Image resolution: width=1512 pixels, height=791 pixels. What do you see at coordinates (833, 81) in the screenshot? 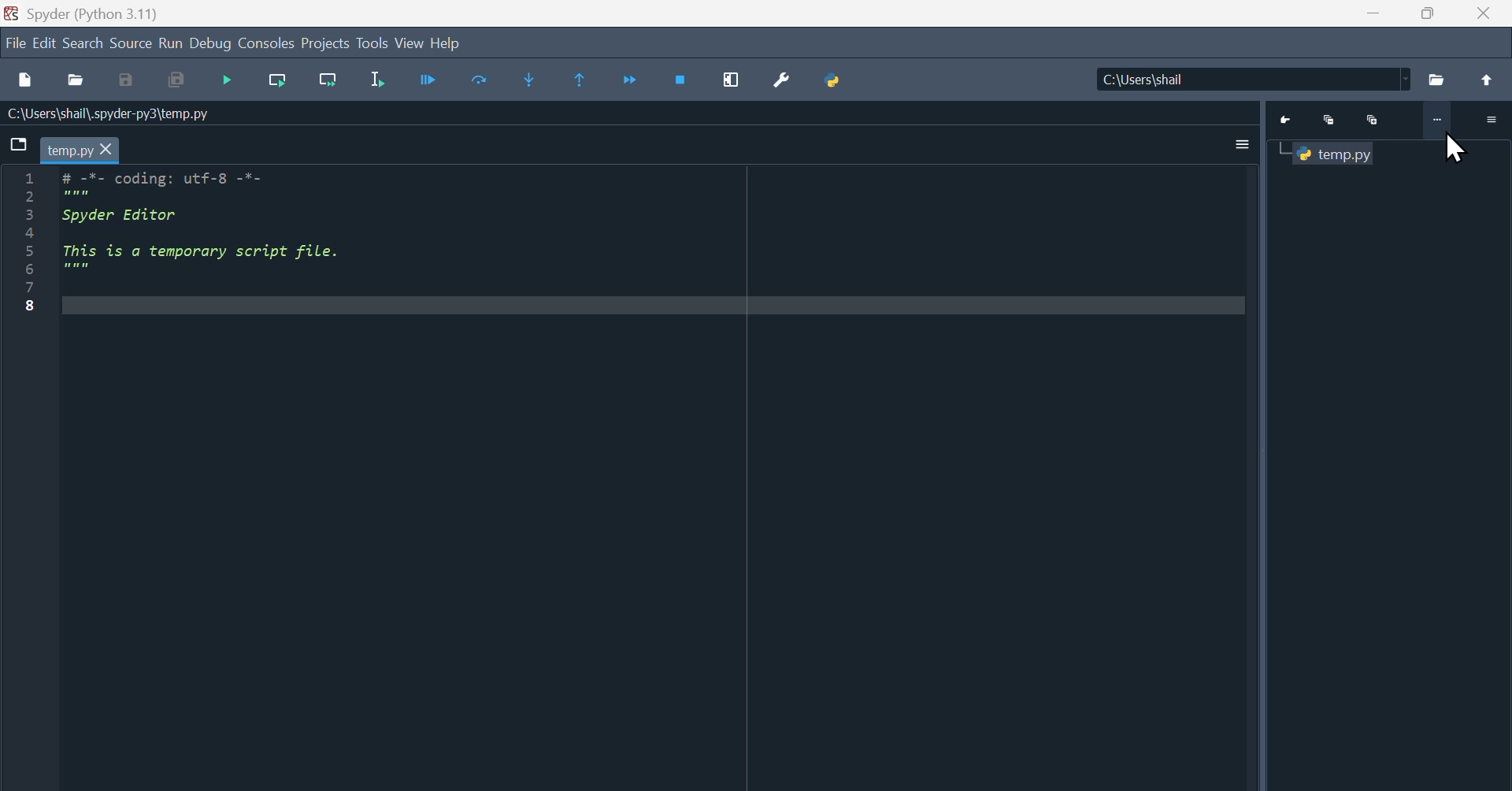
I see `Python path manager` at bounding box center [833, 81].